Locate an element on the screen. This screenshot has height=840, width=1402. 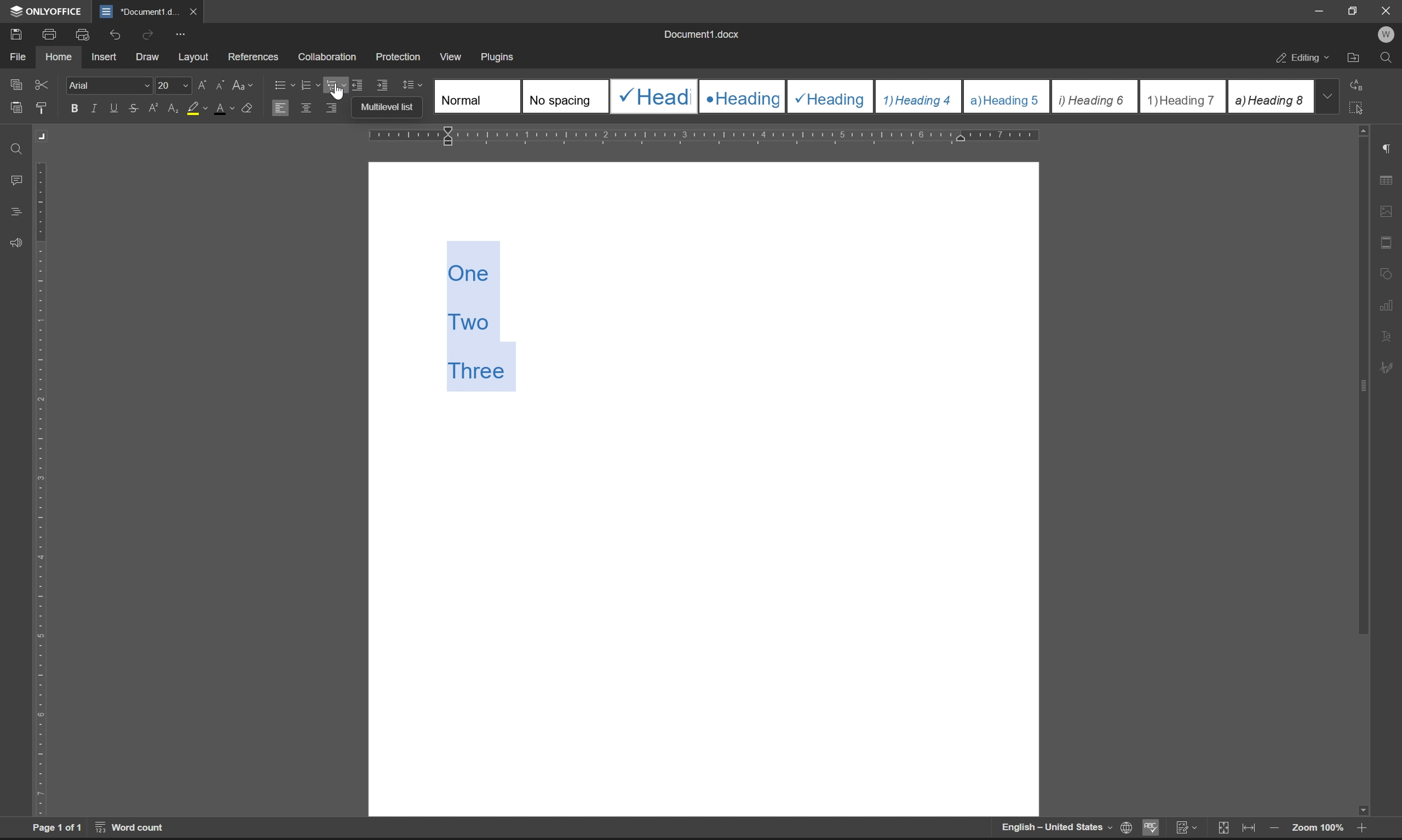
references is located at coordinates (254, 54).